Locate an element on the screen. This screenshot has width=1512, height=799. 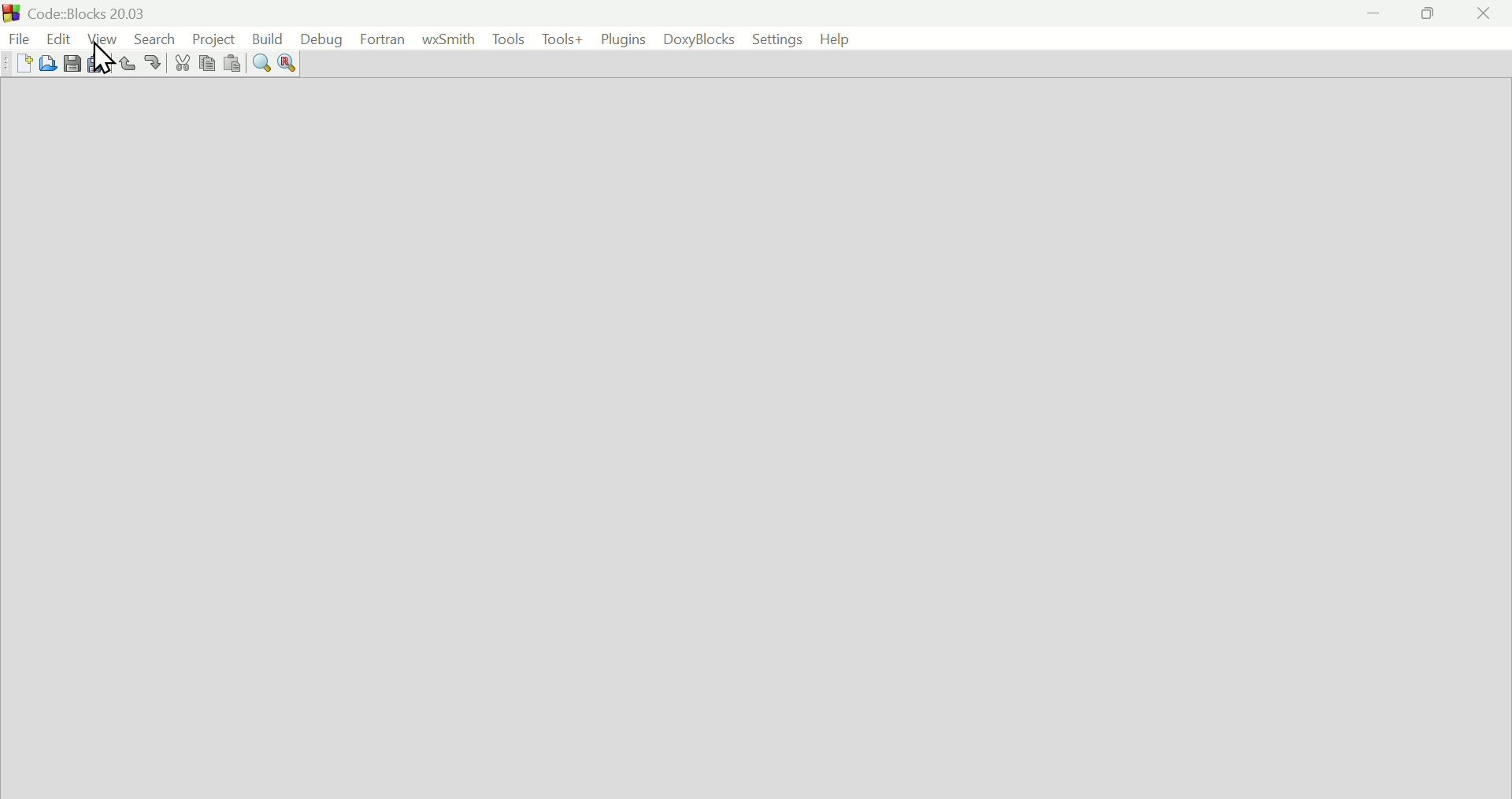
Search is located at coordinates (152, 38).